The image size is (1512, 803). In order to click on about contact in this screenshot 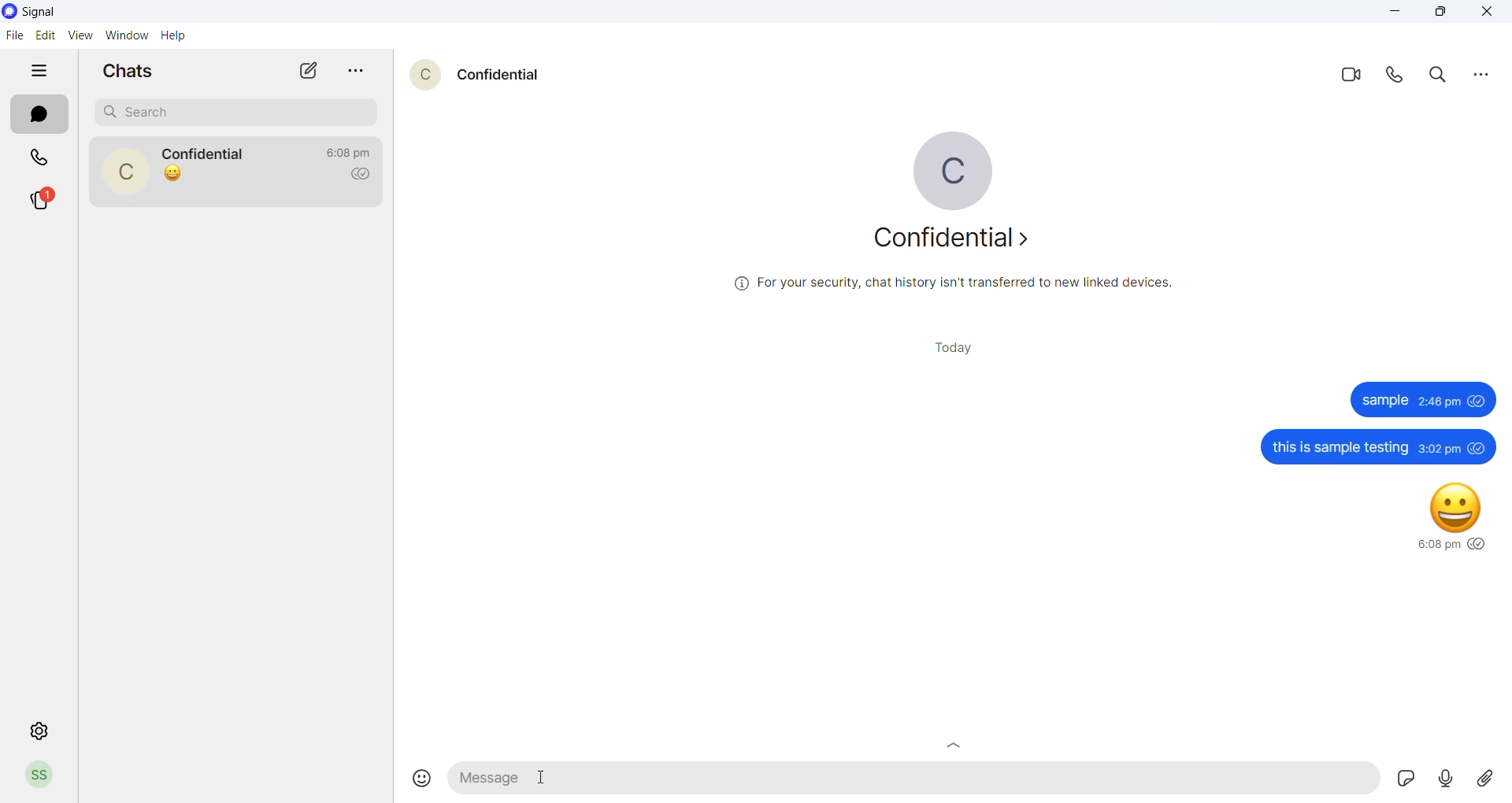, I will do `click(958, 246)`.